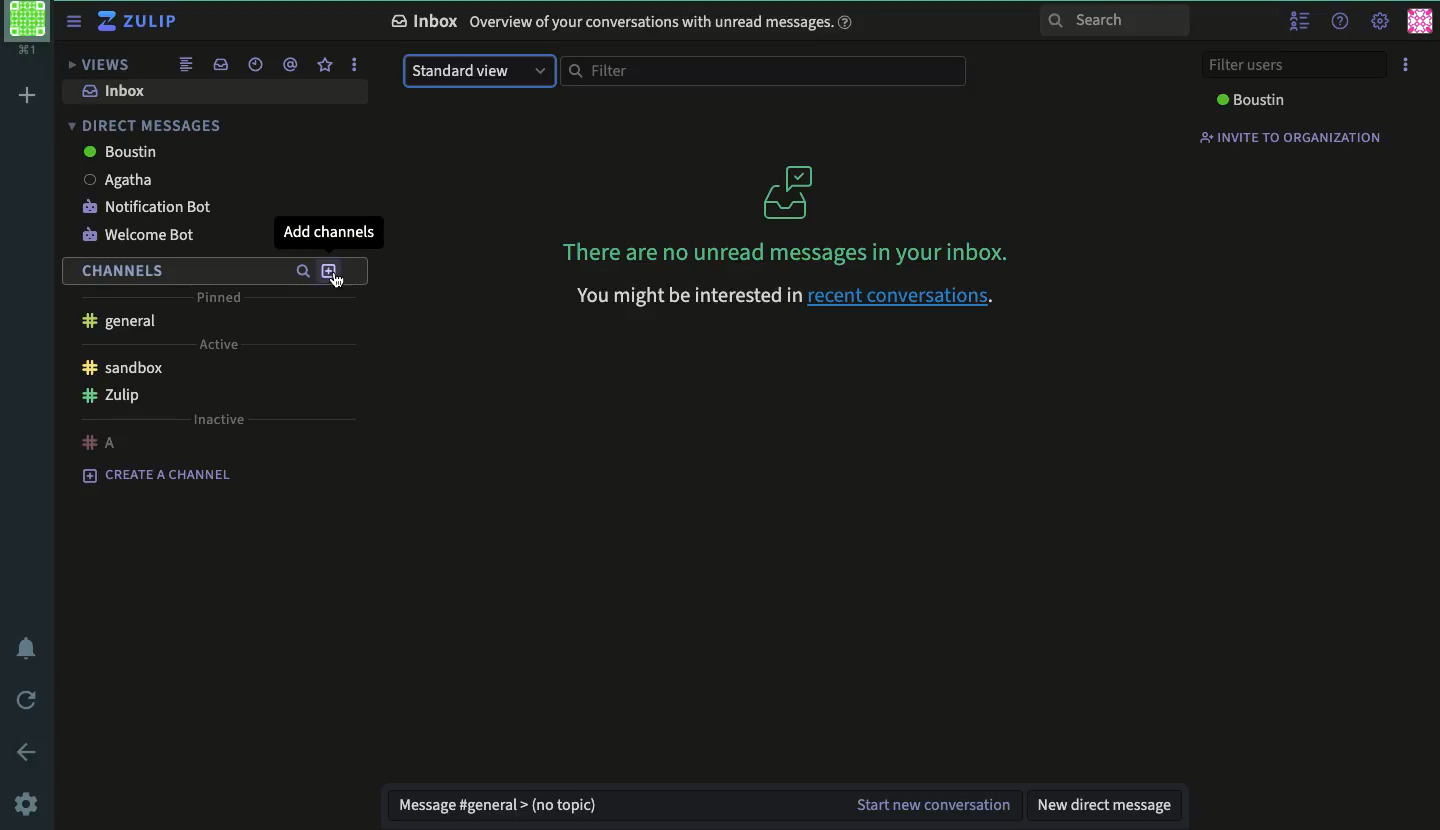 The image size is (1440, 830). Describe the element at coordinates (296, 273) in the screenshot. I see `search` at that location.